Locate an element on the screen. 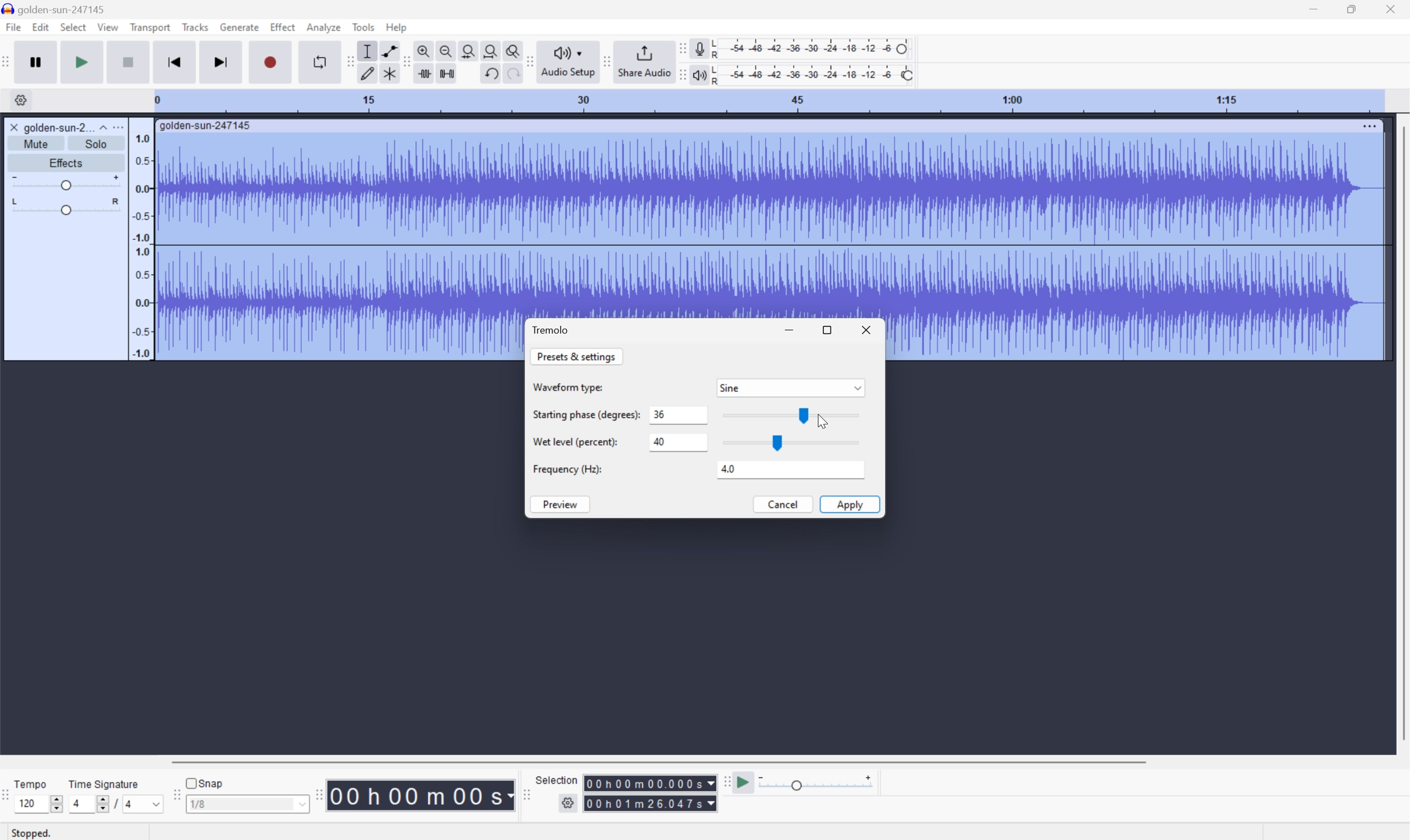  Transport is located at coordinates (150, 27).